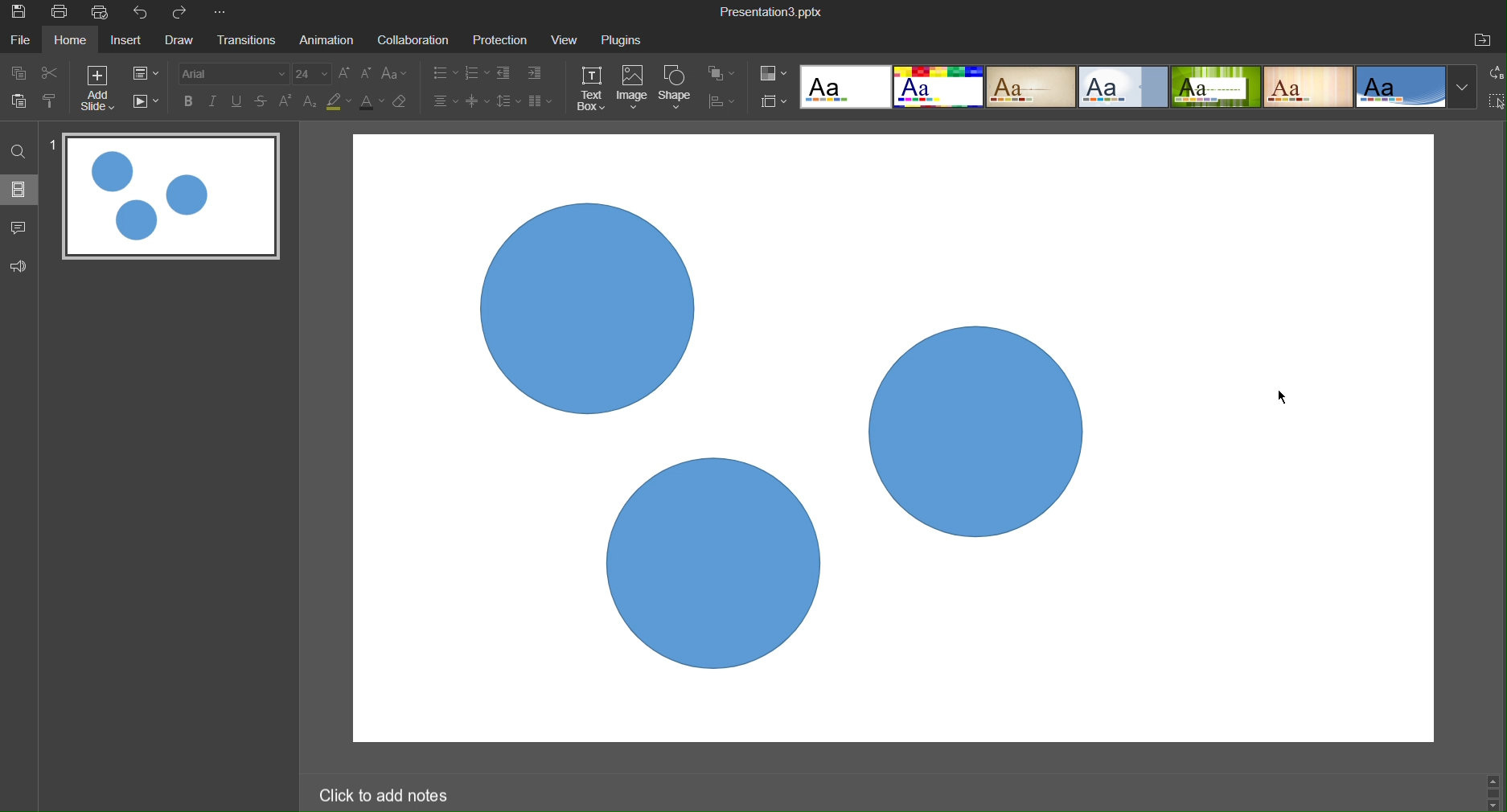  I want to click on Vertical Align, so click(478, 102).